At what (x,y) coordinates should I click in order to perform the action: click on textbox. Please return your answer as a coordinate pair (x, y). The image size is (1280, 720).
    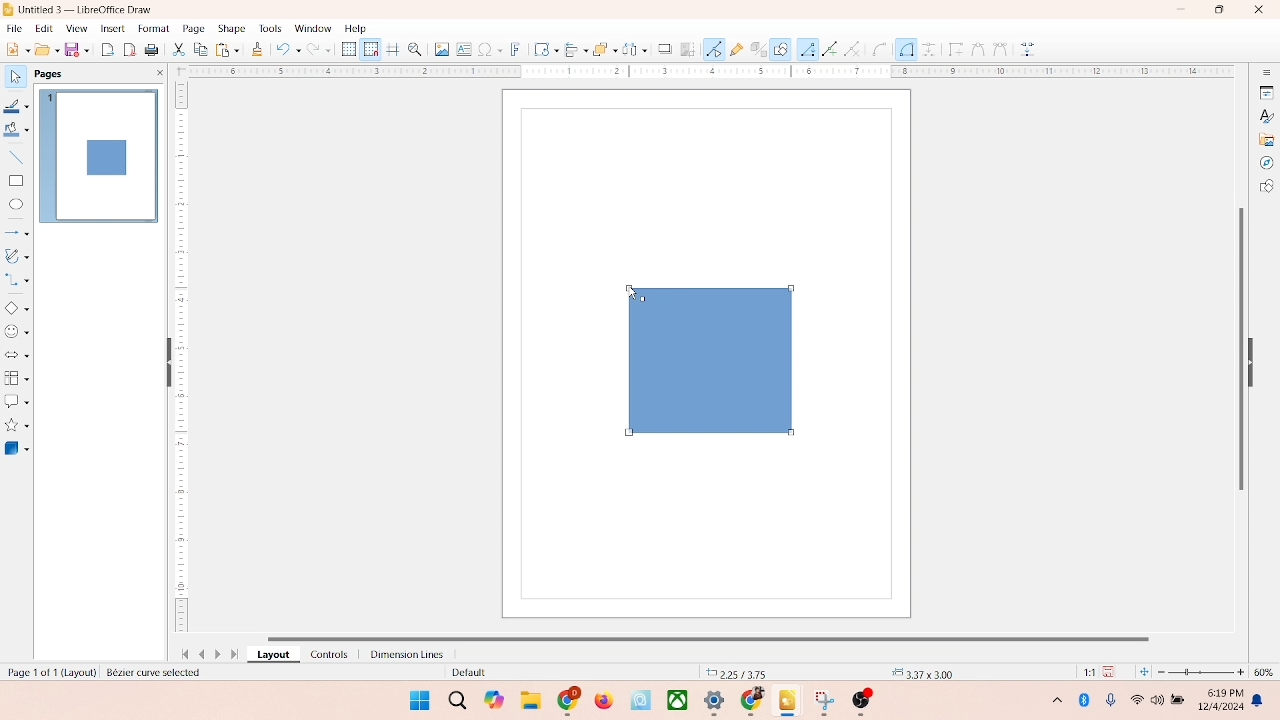
    Looking at the image, I should click on (463, 51).